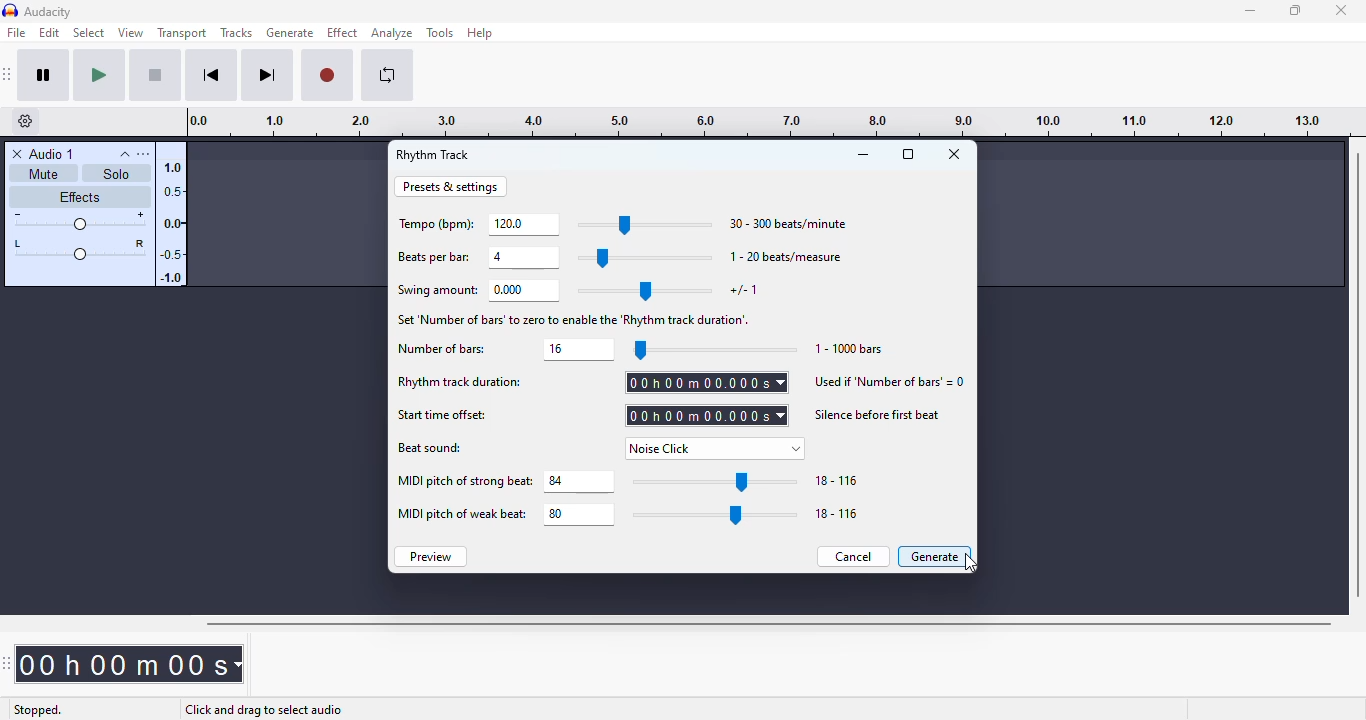  Describe the element at coordinates (117, 173) in the screenshot. I see `solo` at that location.